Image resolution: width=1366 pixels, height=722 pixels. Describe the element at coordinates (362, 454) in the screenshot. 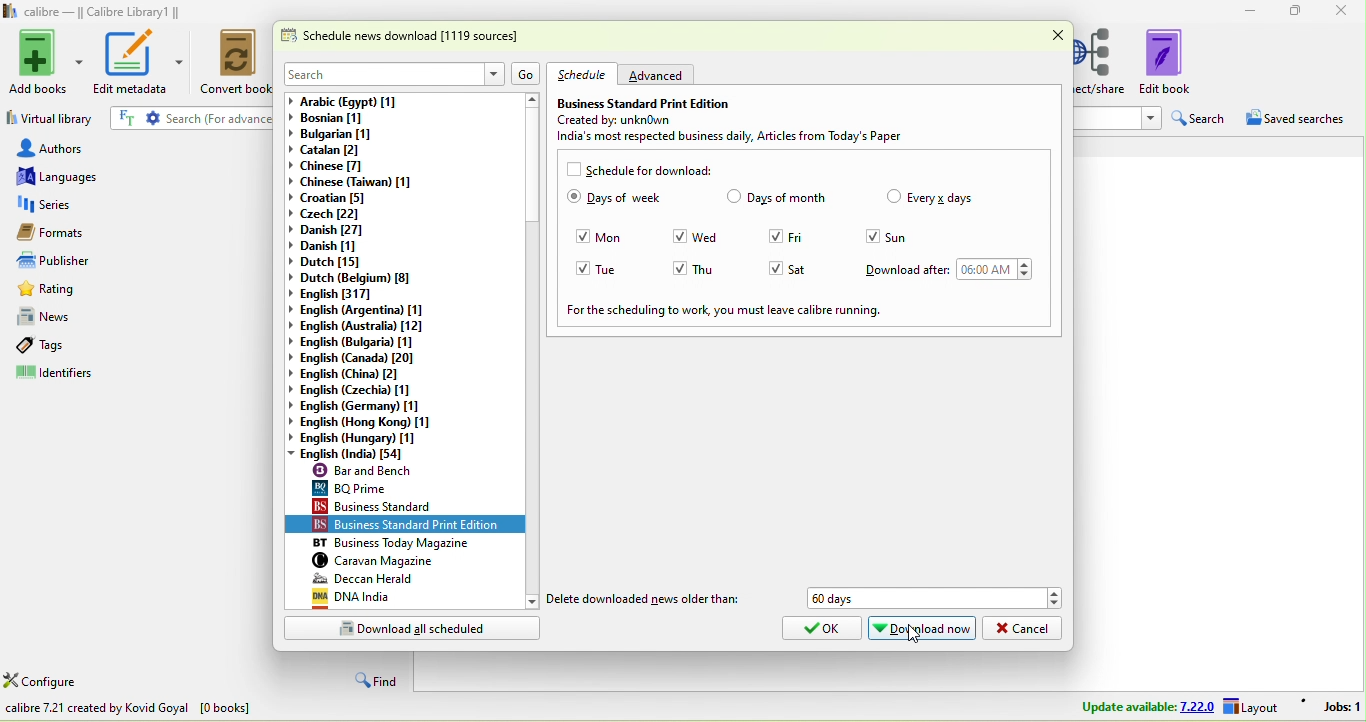

I see `english (india)[54]` at that location.